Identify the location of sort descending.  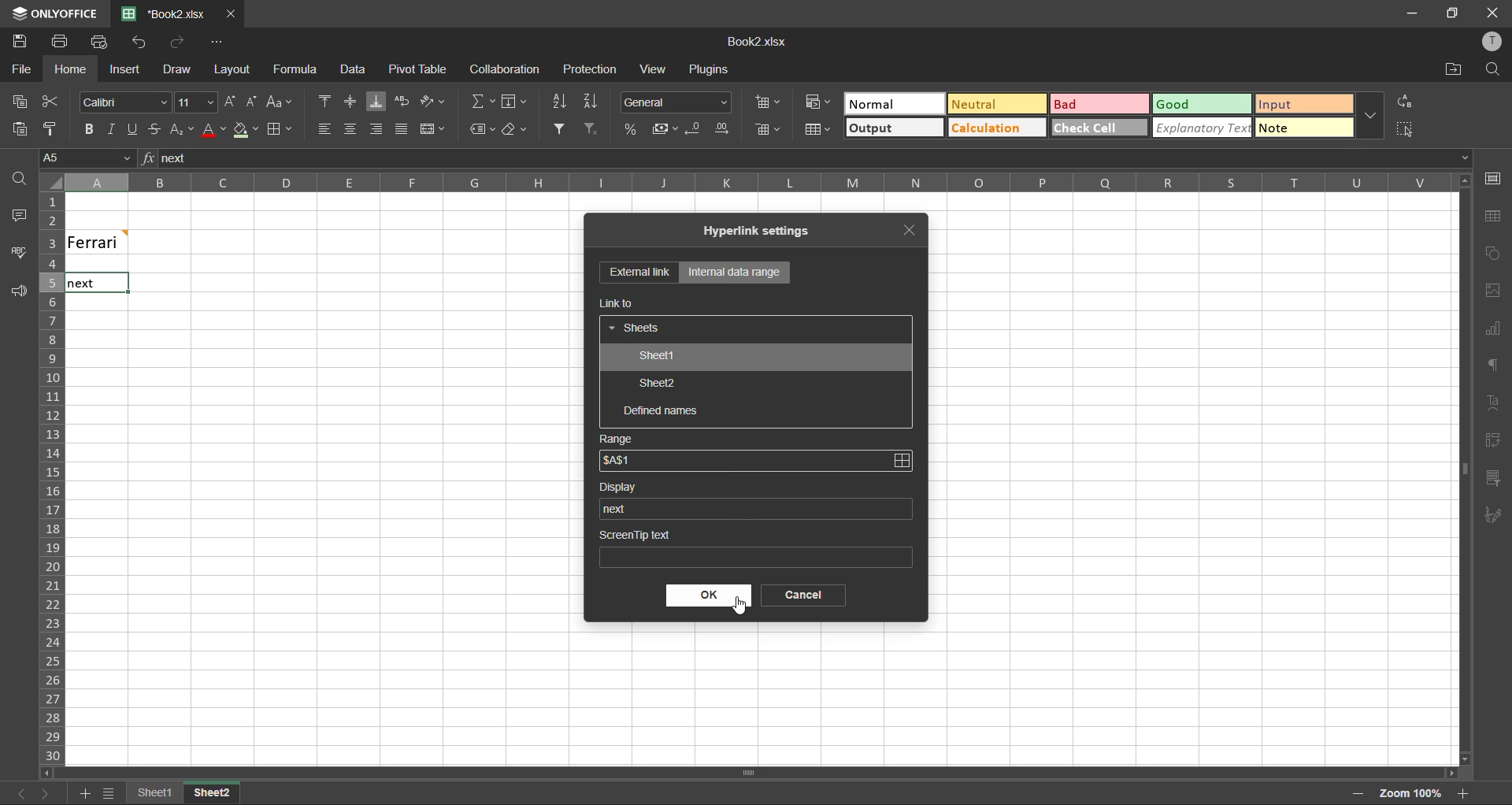
(591, 103).